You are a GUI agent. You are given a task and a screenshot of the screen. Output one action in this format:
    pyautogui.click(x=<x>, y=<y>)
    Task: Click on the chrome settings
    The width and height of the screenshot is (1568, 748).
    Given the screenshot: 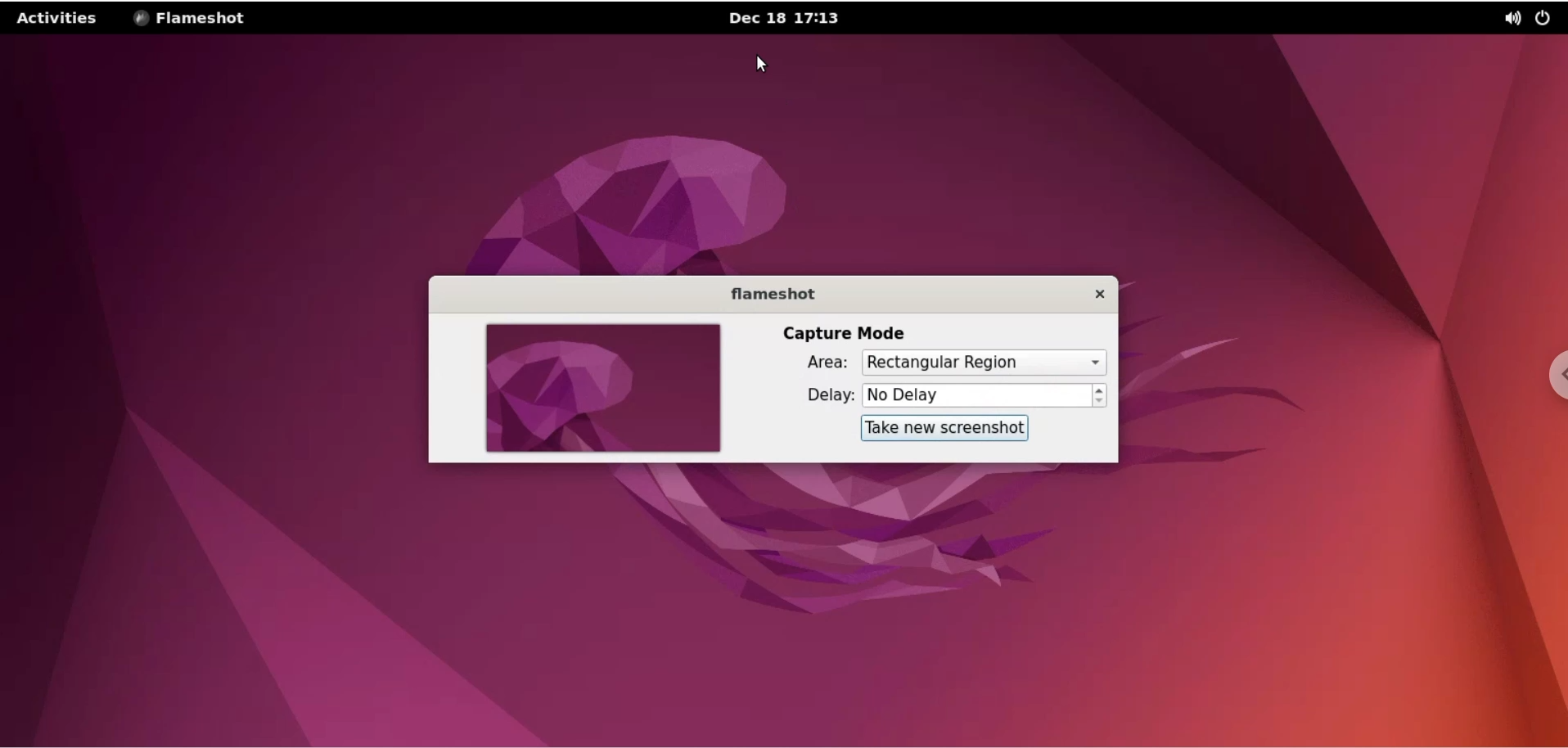 What is the action you would take?
    pyautogui.click(x=1552, y=376)
    